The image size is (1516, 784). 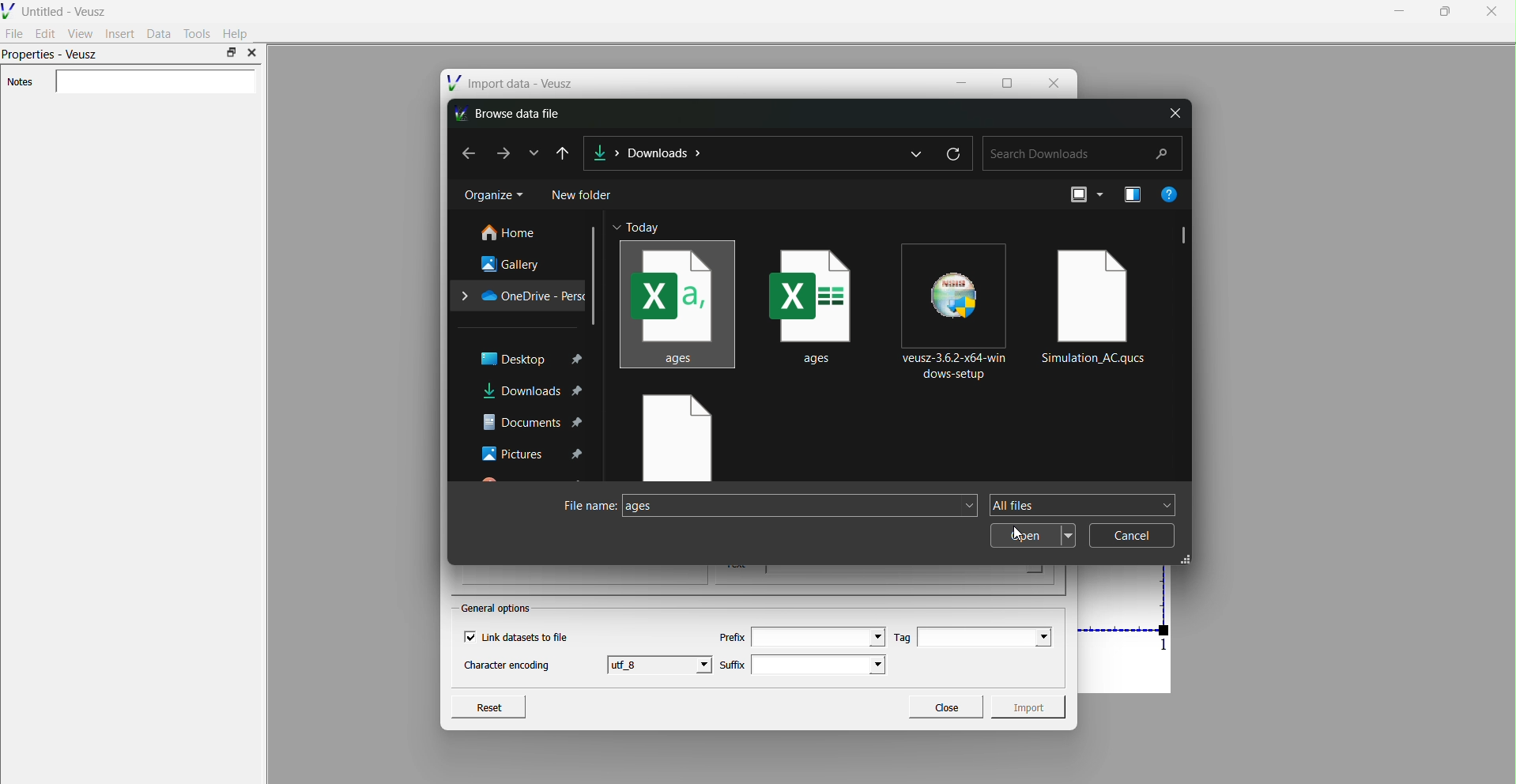 What do you see at coordinates (533, 422) in the screenshot?
I see `Documents` at bounding box center [533, 422].